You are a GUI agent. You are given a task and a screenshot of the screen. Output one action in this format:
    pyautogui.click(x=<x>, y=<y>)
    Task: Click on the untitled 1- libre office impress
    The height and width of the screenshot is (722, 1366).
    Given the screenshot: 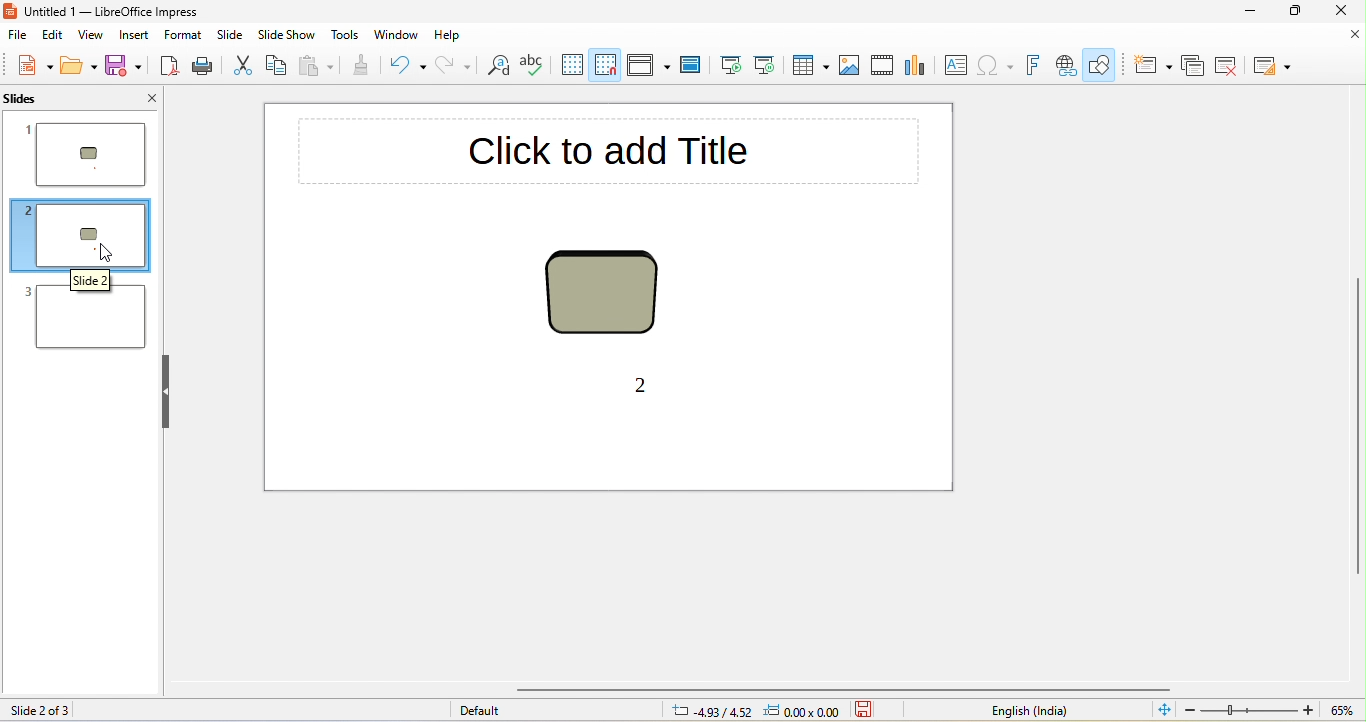 What is the action you would take?
    pyautogui.click(x=114, y=13)
    